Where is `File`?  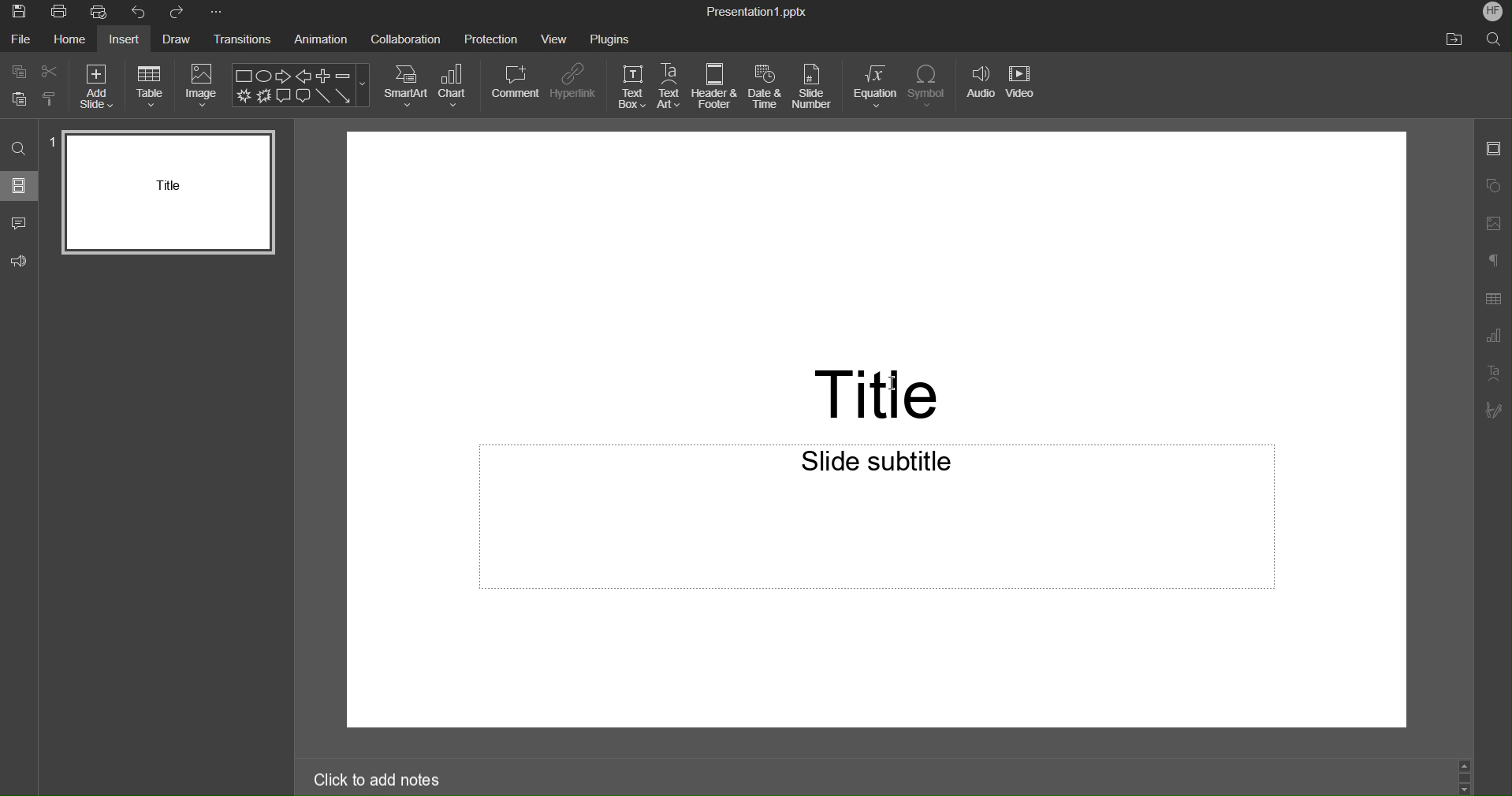 File is located at coordinates (22, 42).